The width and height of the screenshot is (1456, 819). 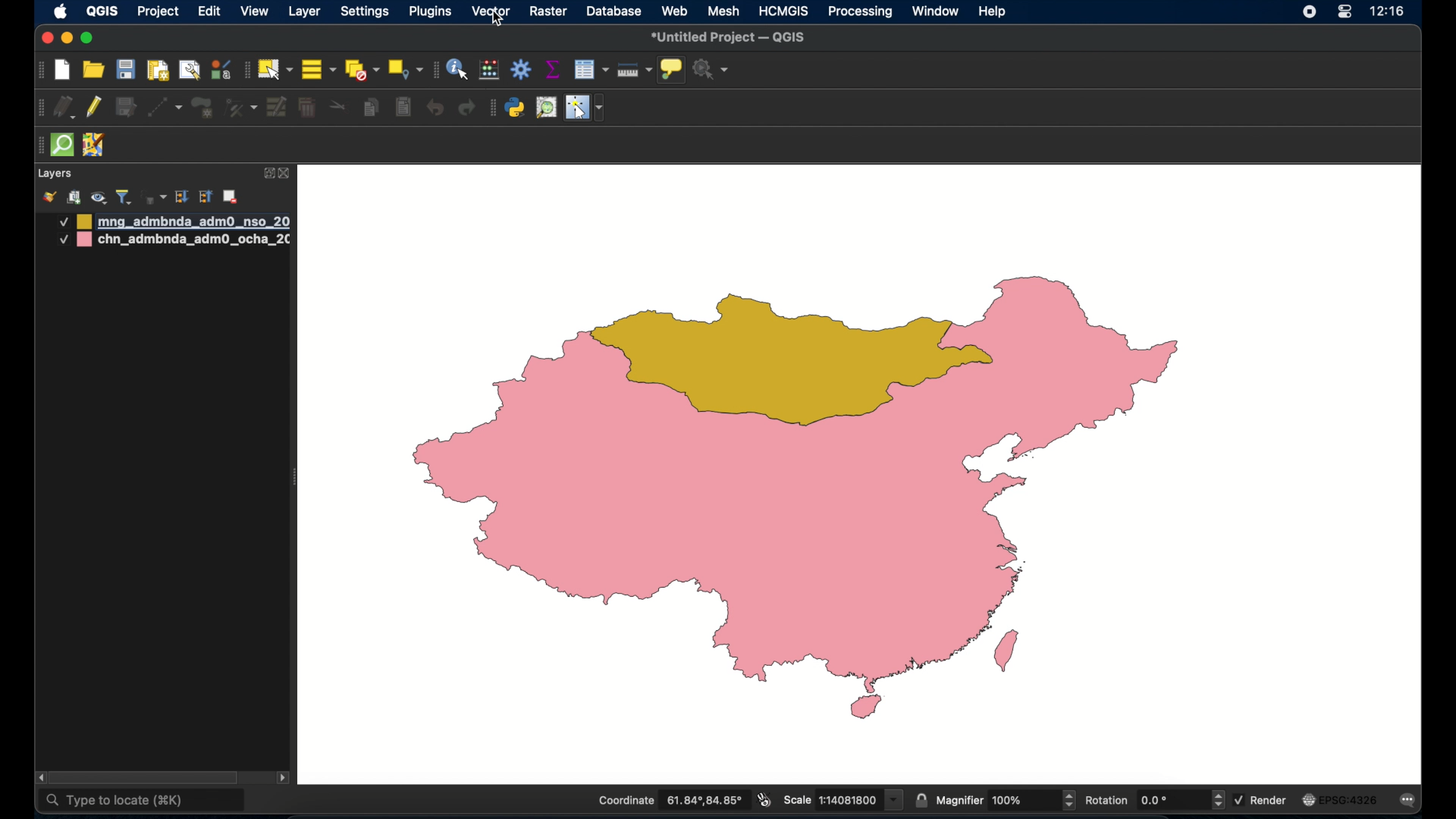 What do you see at coordinates (466, 108) in the screenshot?
I see `redo` at bounding box center [466, 108].